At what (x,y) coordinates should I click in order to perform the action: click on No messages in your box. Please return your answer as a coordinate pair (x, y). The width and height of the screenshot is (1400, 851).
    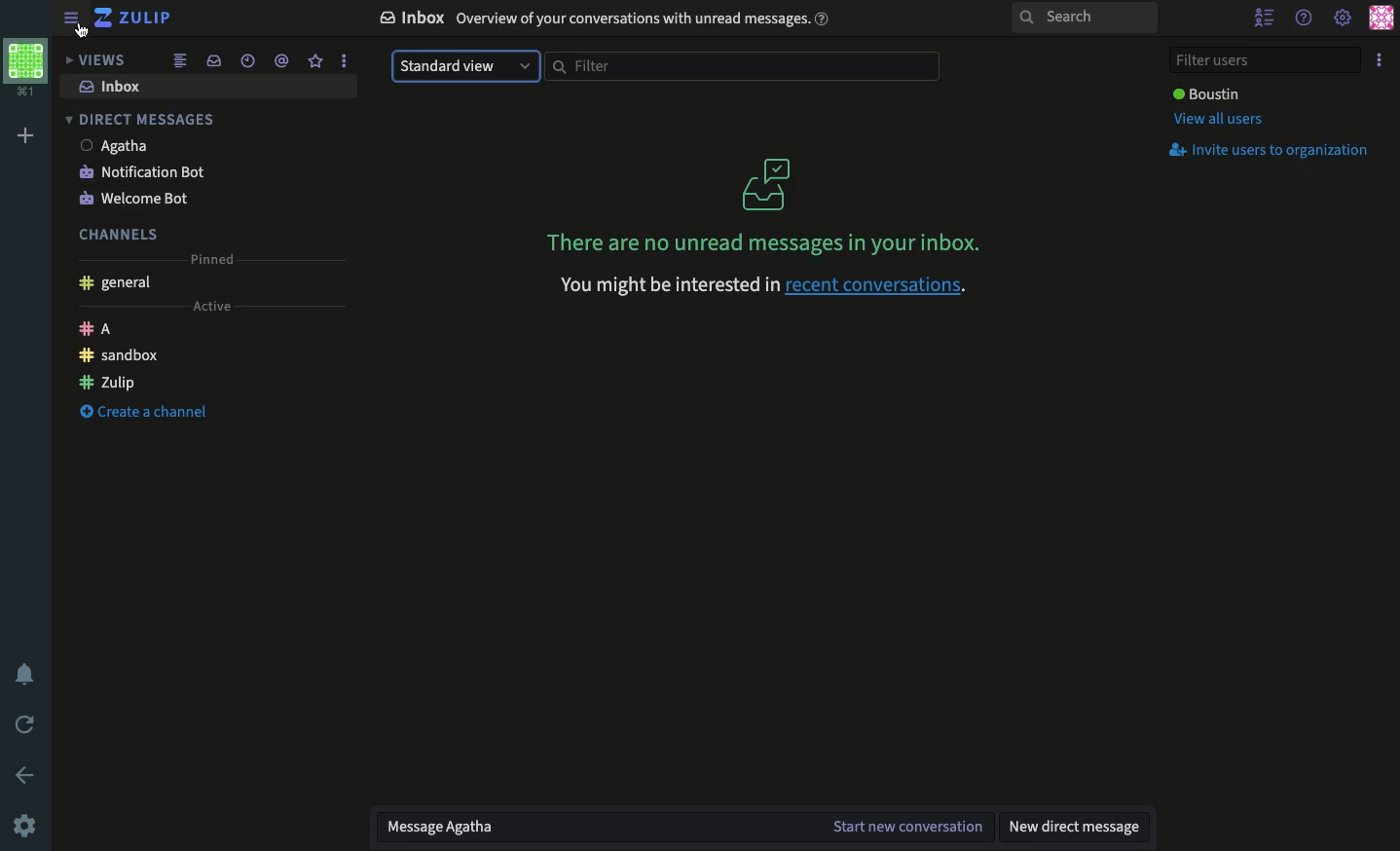
    Looking at the image, I should click on (767, 203).